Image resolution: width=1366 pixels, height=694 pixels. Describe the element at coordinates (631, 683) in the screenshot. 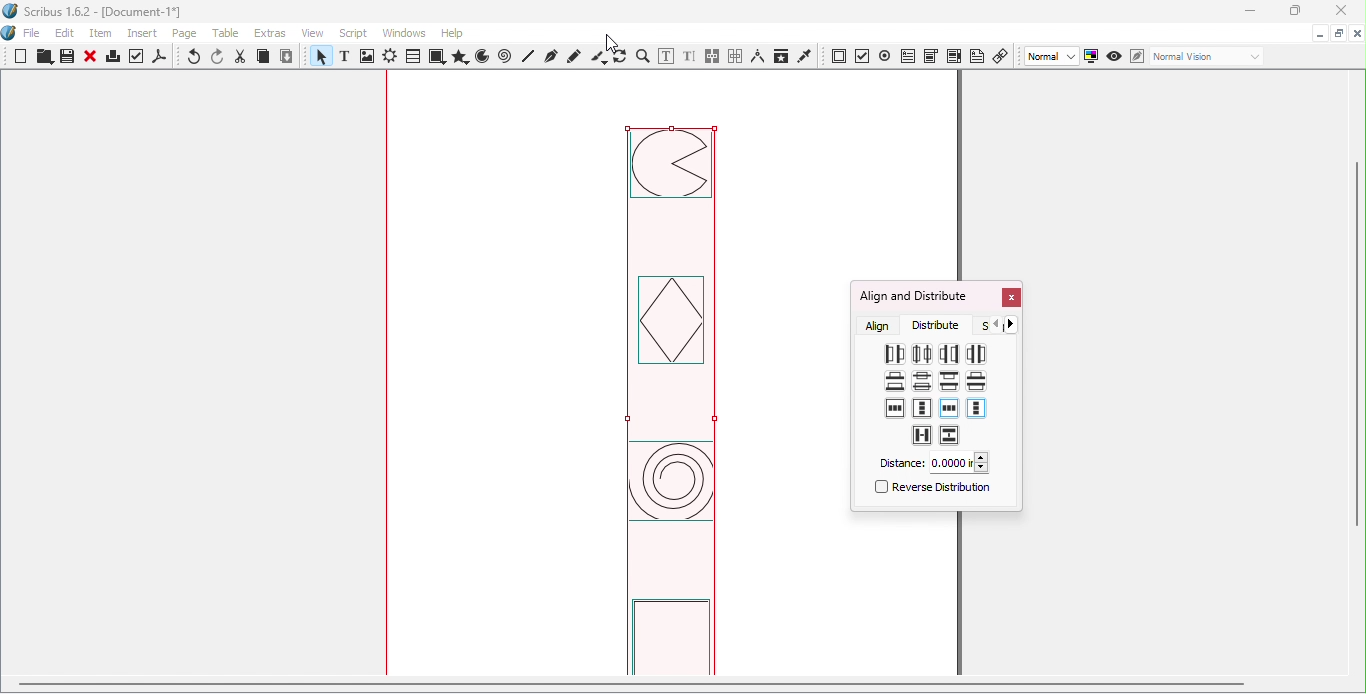

I see `scroll bar` at that location.